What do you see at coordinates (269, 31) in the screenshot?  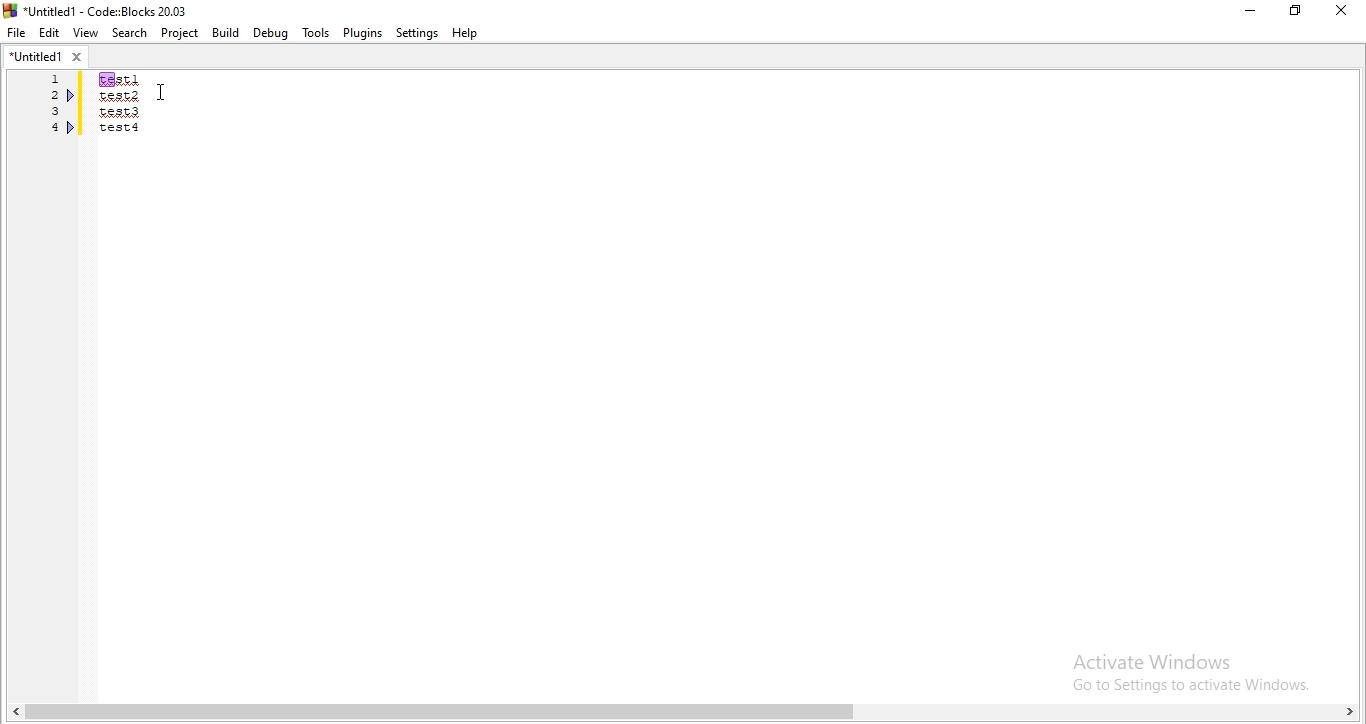 I see `Debug ` at bounding box center [269, 31].